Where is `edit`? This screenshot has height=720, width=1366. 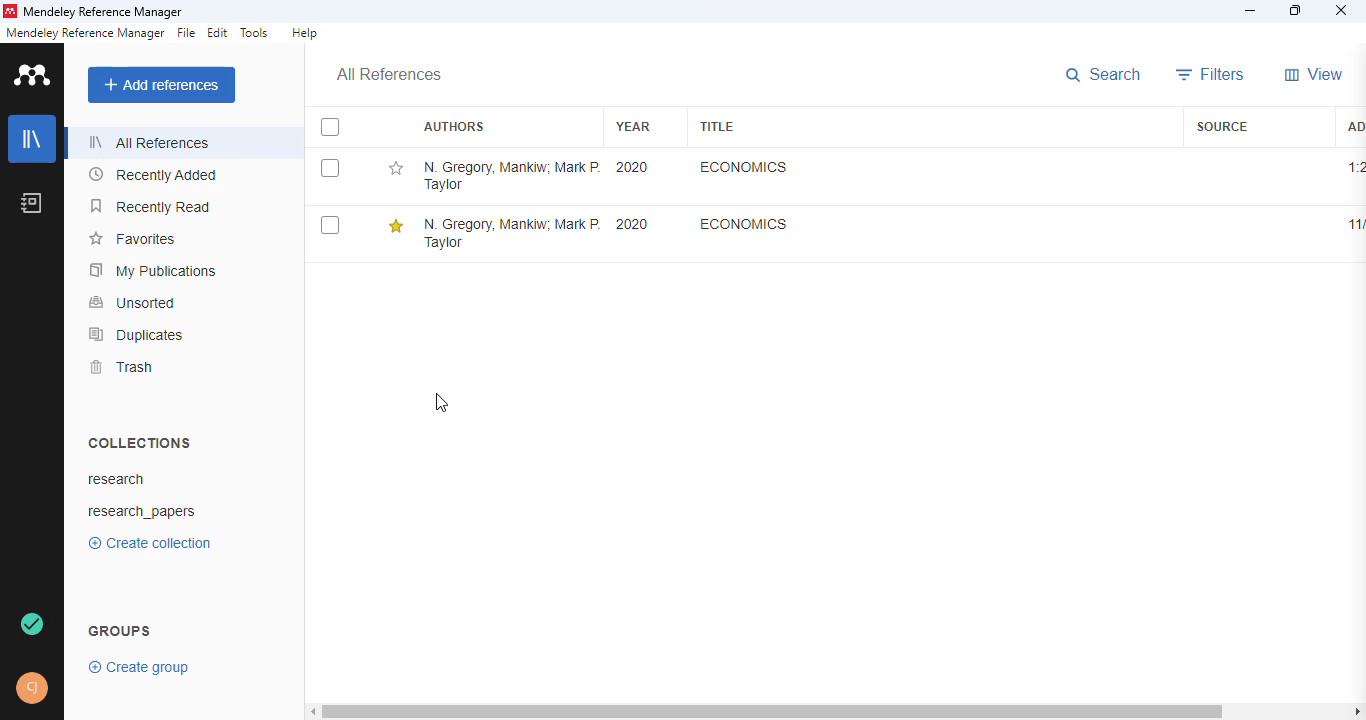
edit is located at coordinates (219, 33).